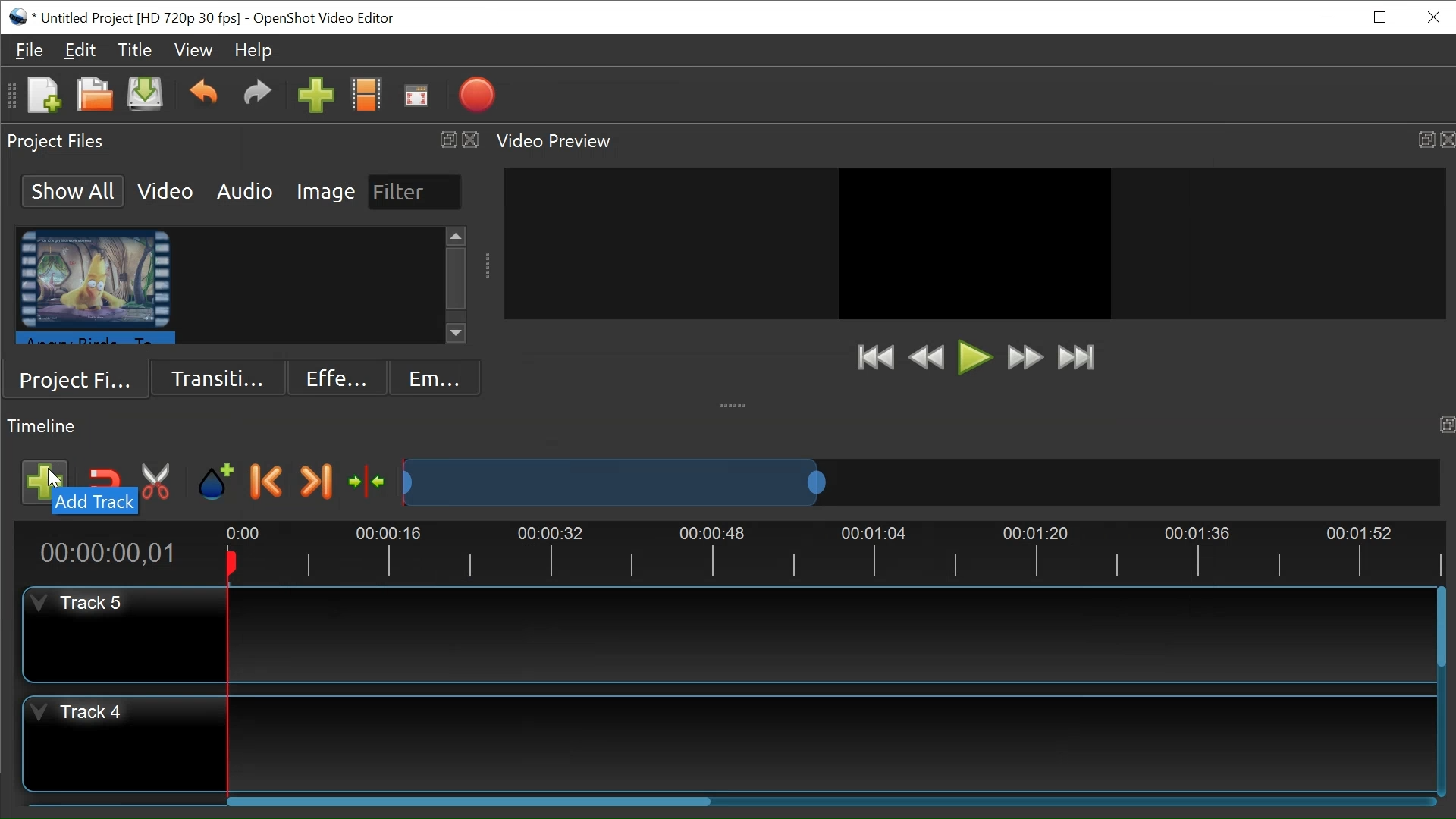  Describe the element at coordinates (256, 95) in the screenshot. I see `Redo` at that location.